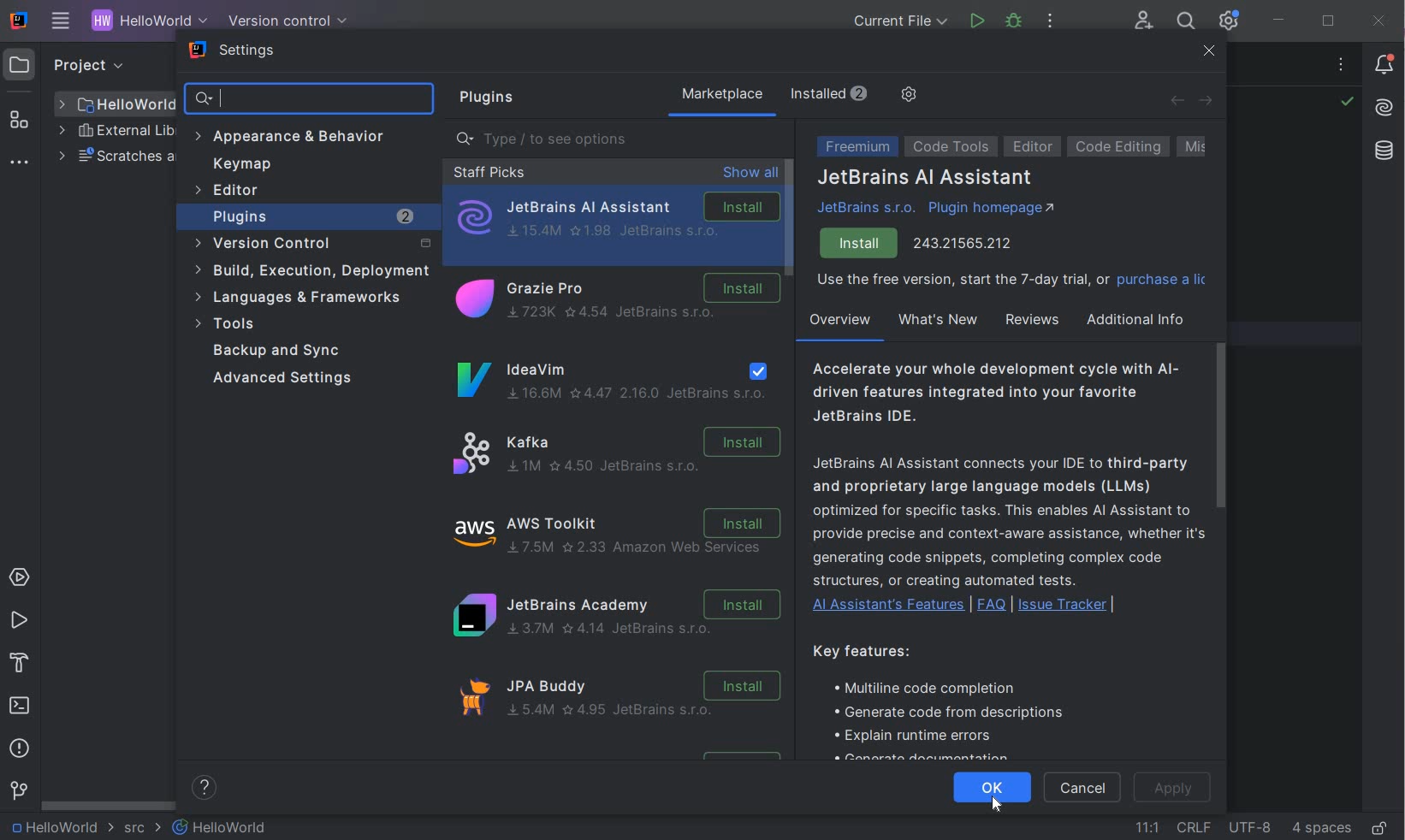 The image size is (1405, 840). What do you see at coordinates (750, 174) in the screenshot?
I see `show all` at bounding box center [750, 174].